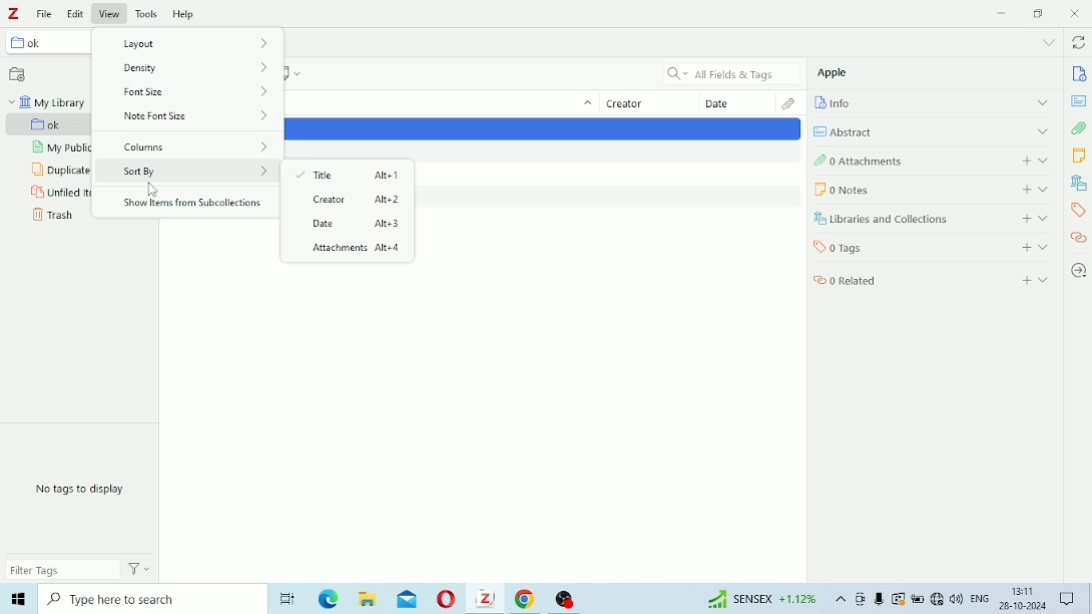 The image size is (1092, 614). What do you see at coordinates (326, 601) in the screenshot?
I see `Edge browser` at bounding box center [326, 601].